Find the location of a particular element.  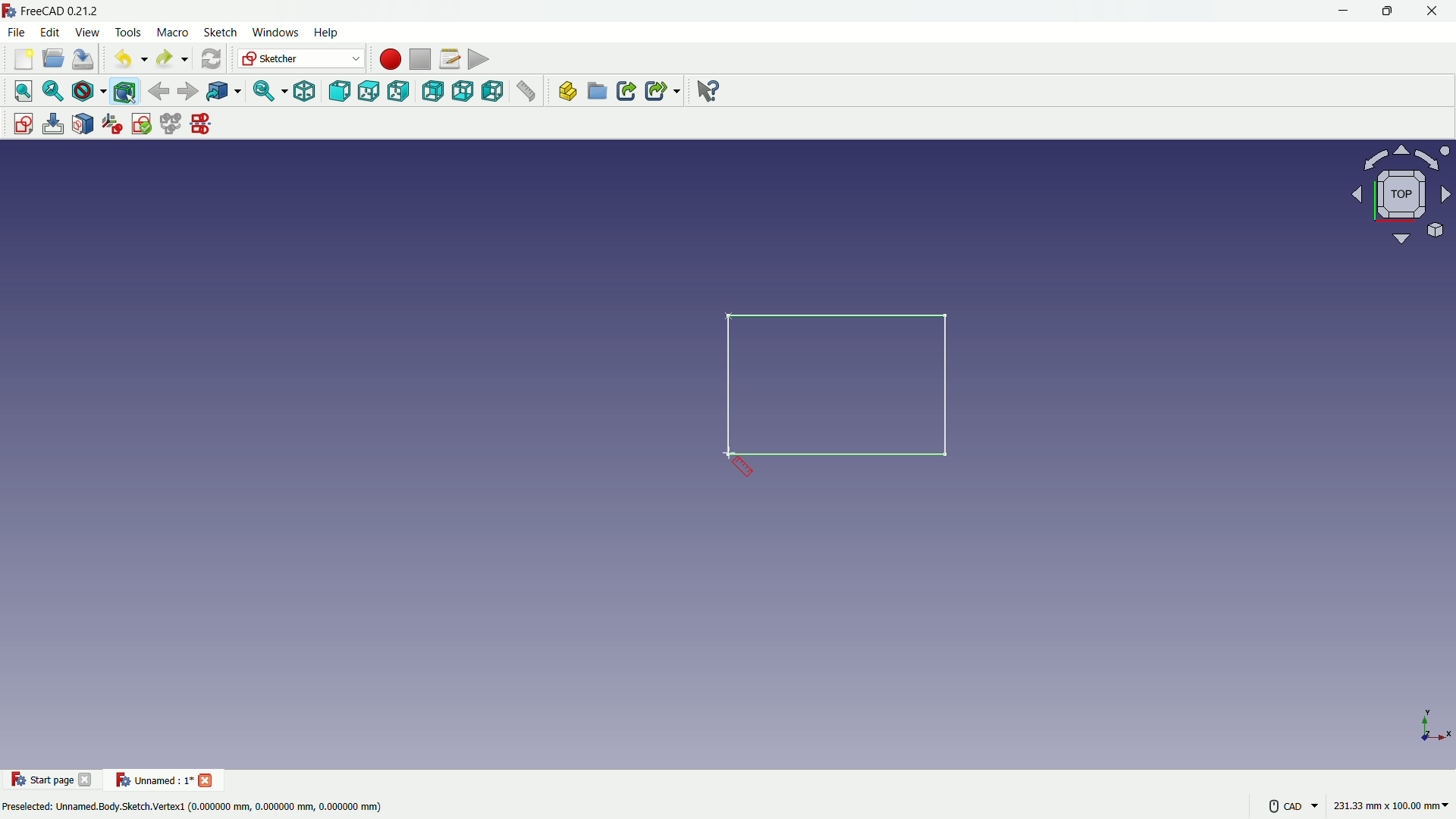

bottom view is located at coordinates (463, 93).